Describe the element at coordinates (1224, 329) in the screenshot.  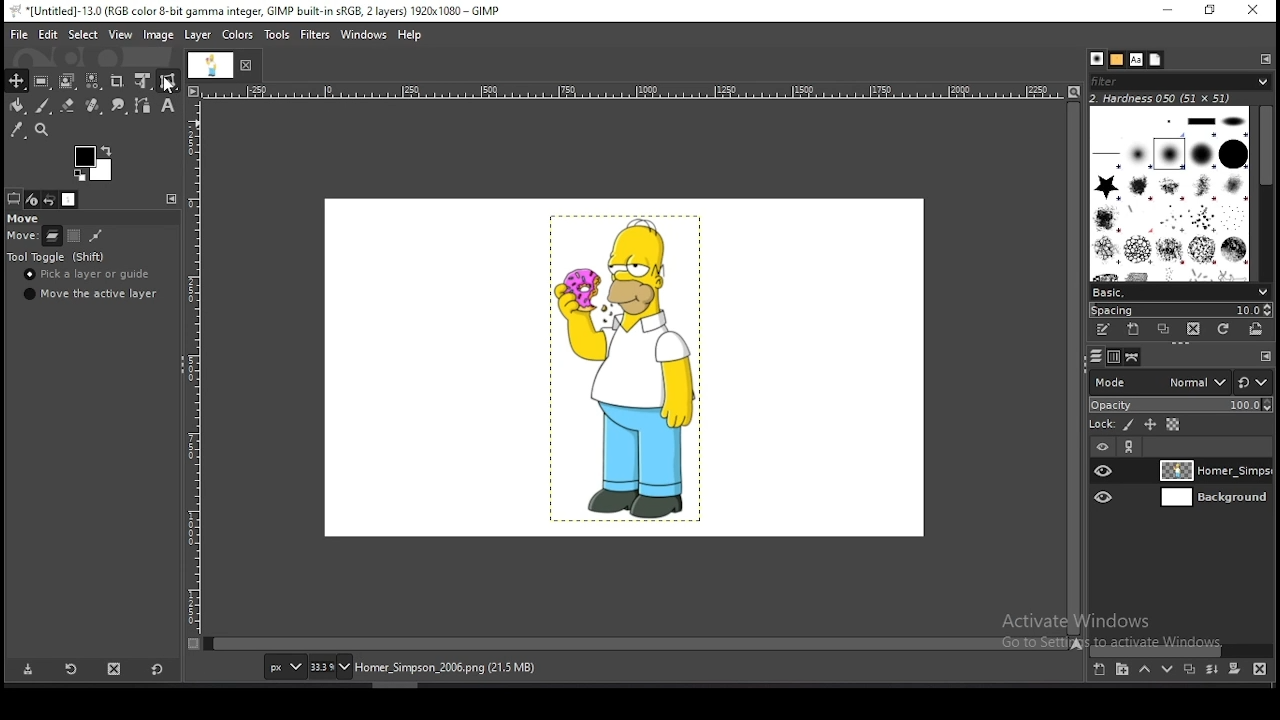
I see `refresh brushes` at that location.